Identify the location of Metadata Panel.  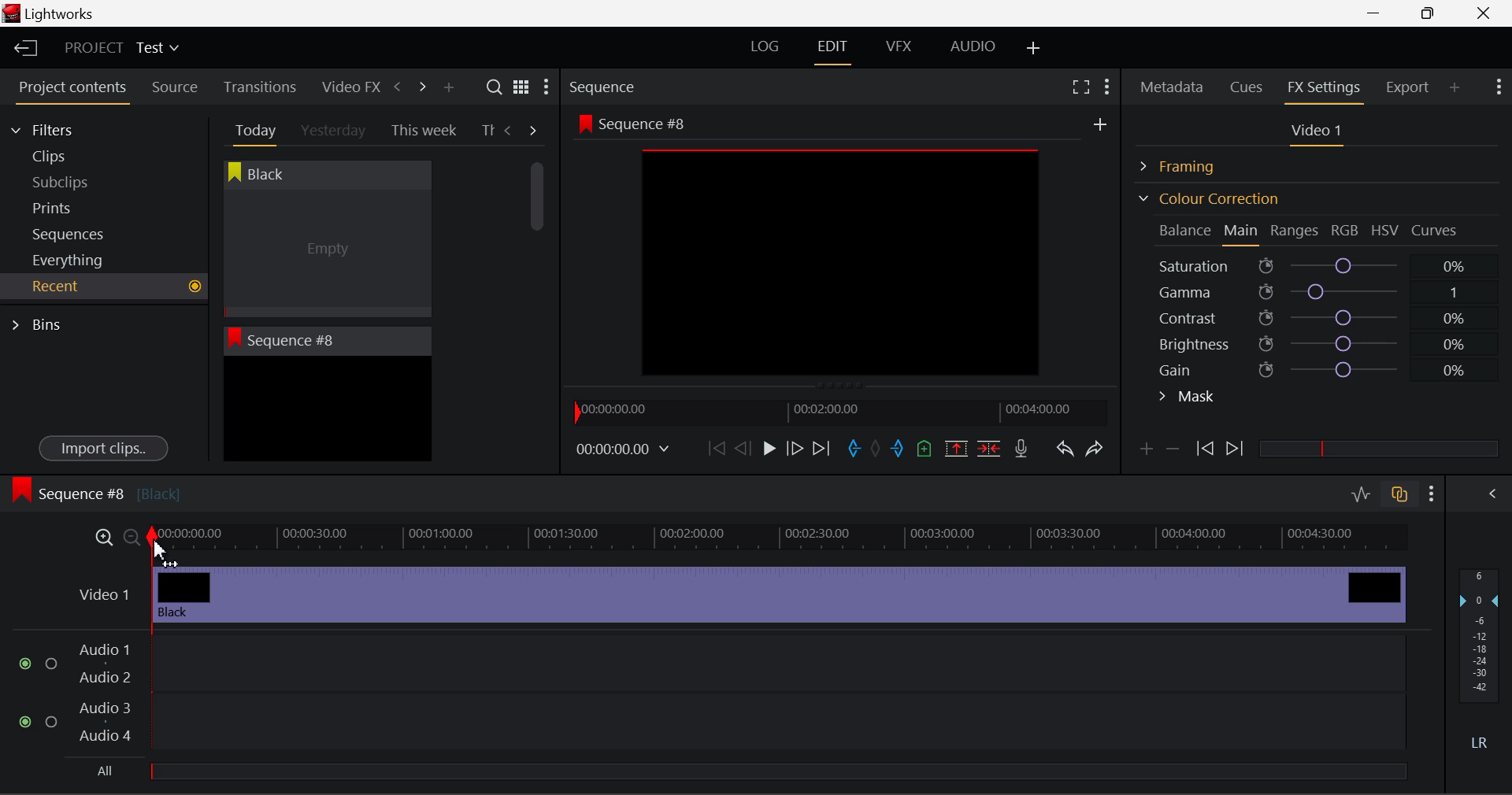
(1173, 84).